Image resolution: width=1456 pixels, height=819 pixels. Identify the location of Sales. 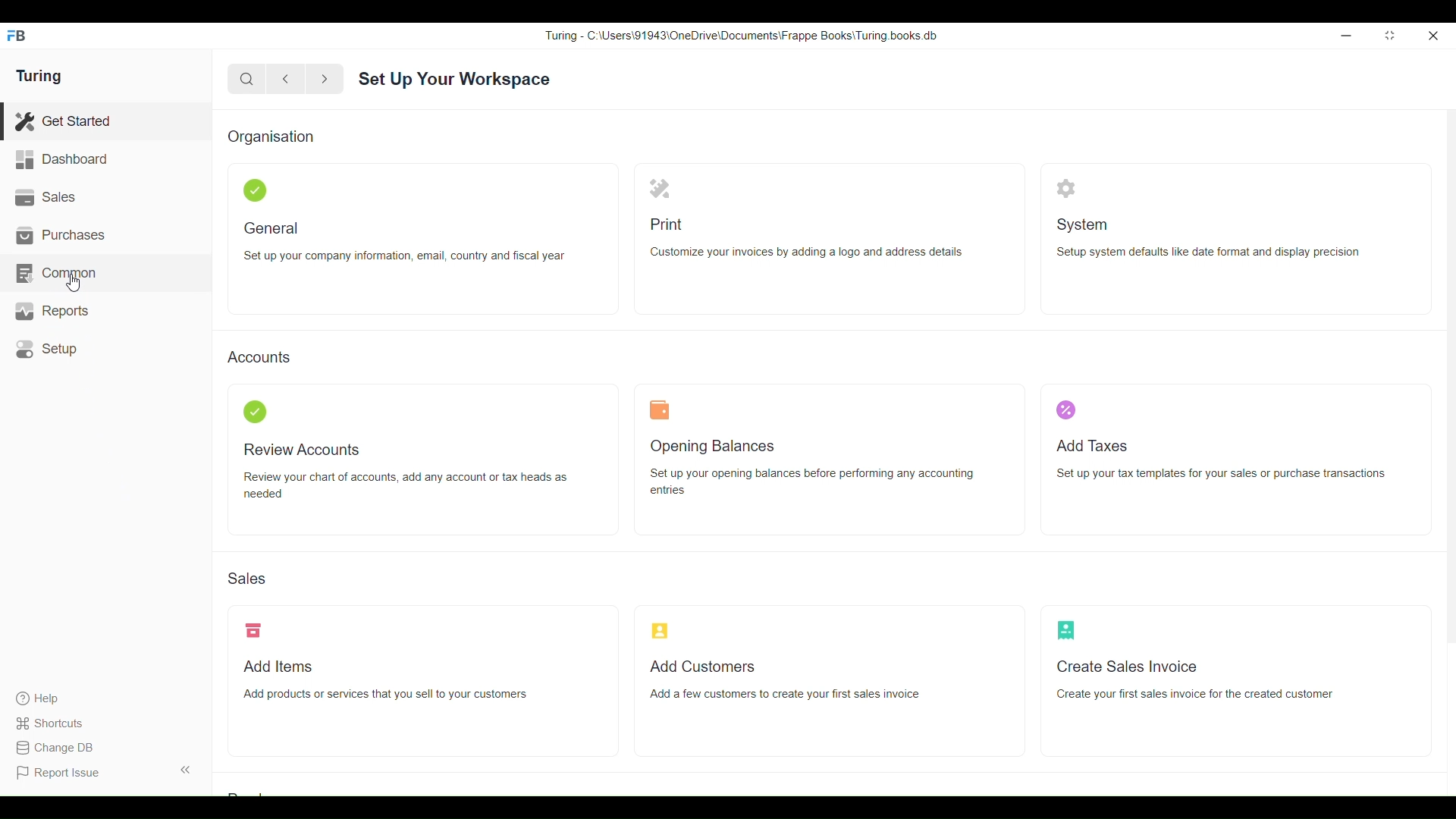
(246, 579).